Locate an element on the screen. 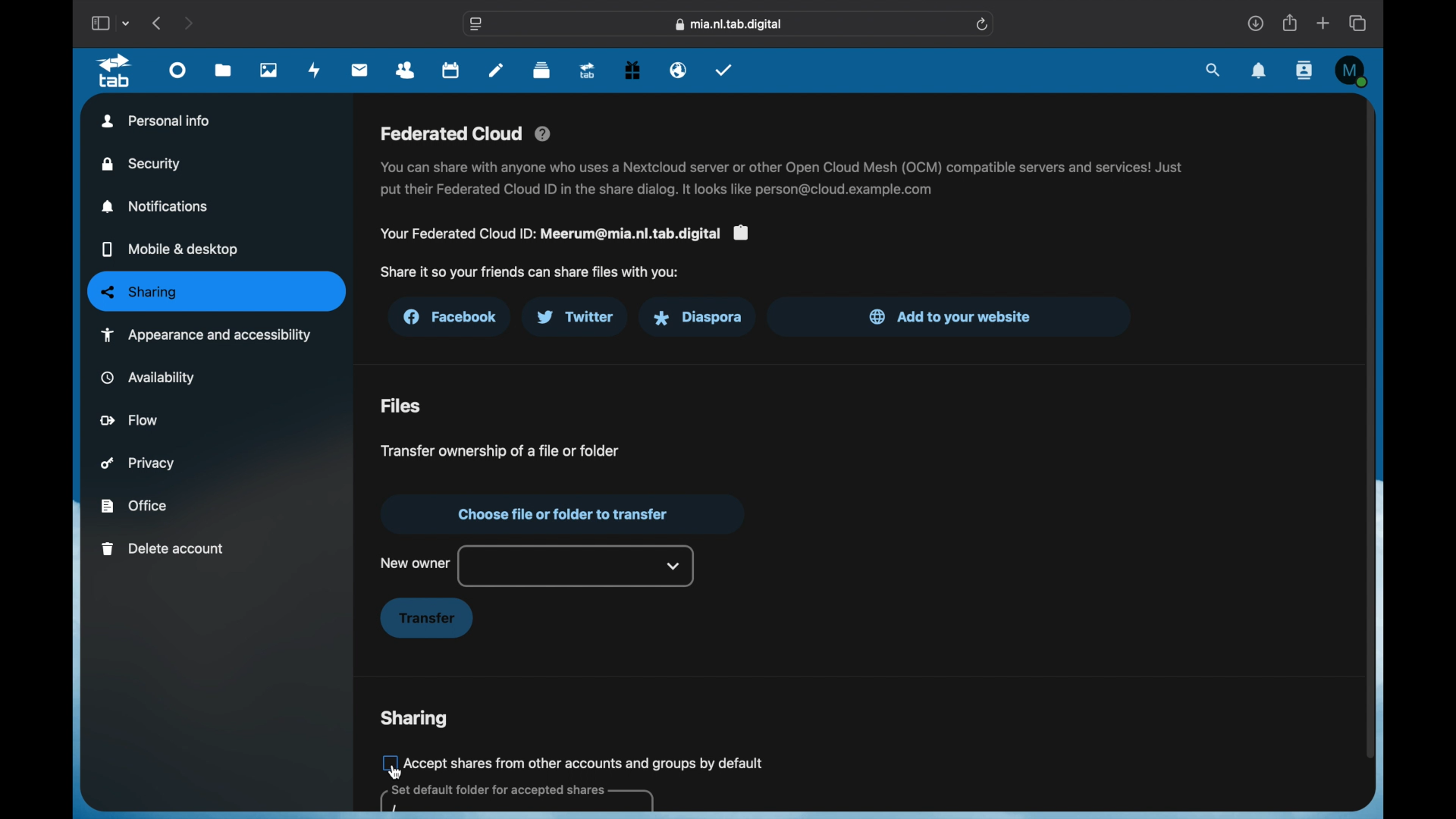 This screenshot has height=819, width=1456. dropdown is located at coordinates (674, 566).